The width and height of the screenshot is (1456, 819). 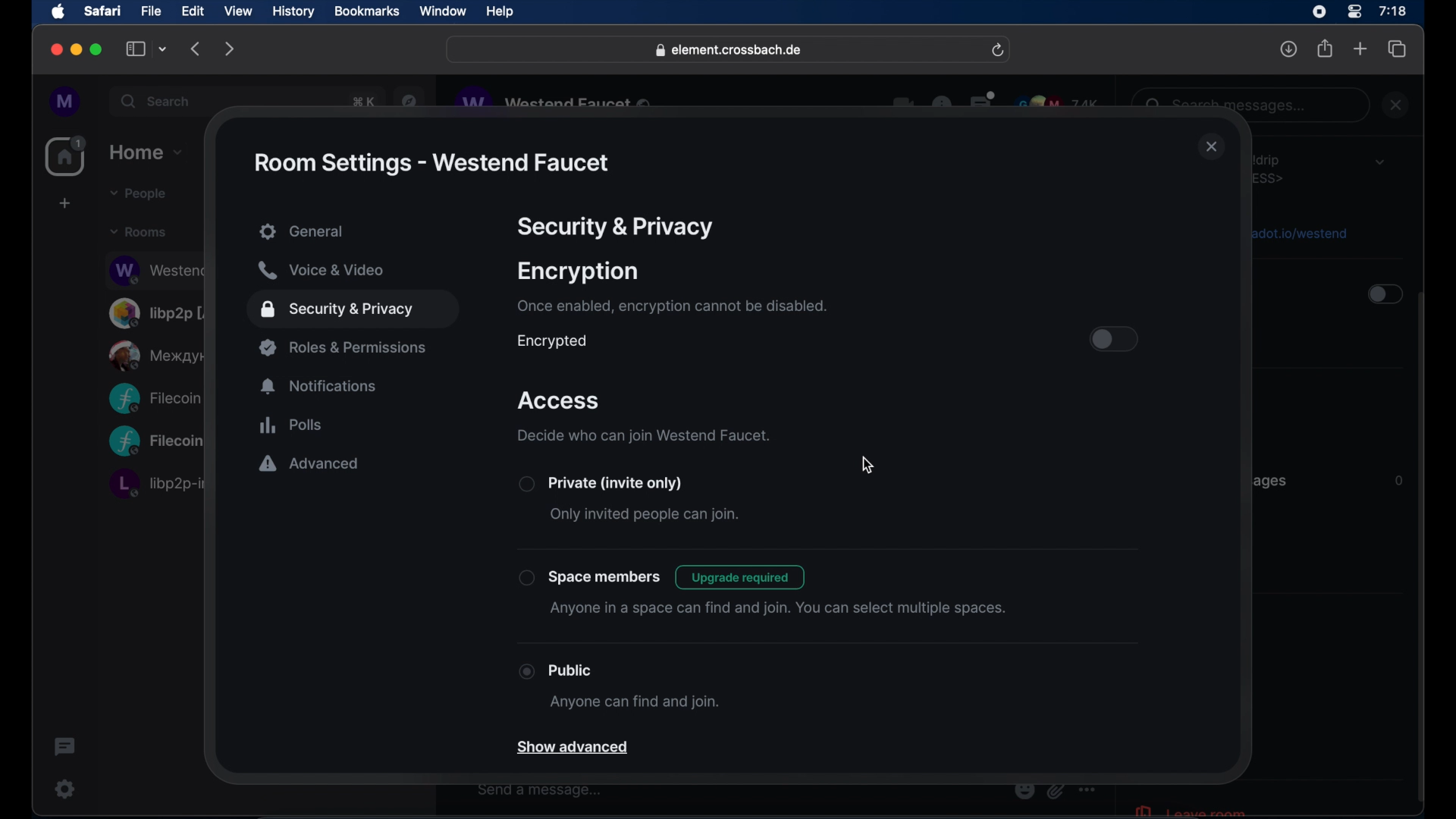 What do you see at coordinates (1360, 48) in the screenshot?
I see `new tab` at bounding box center [1360, 48].